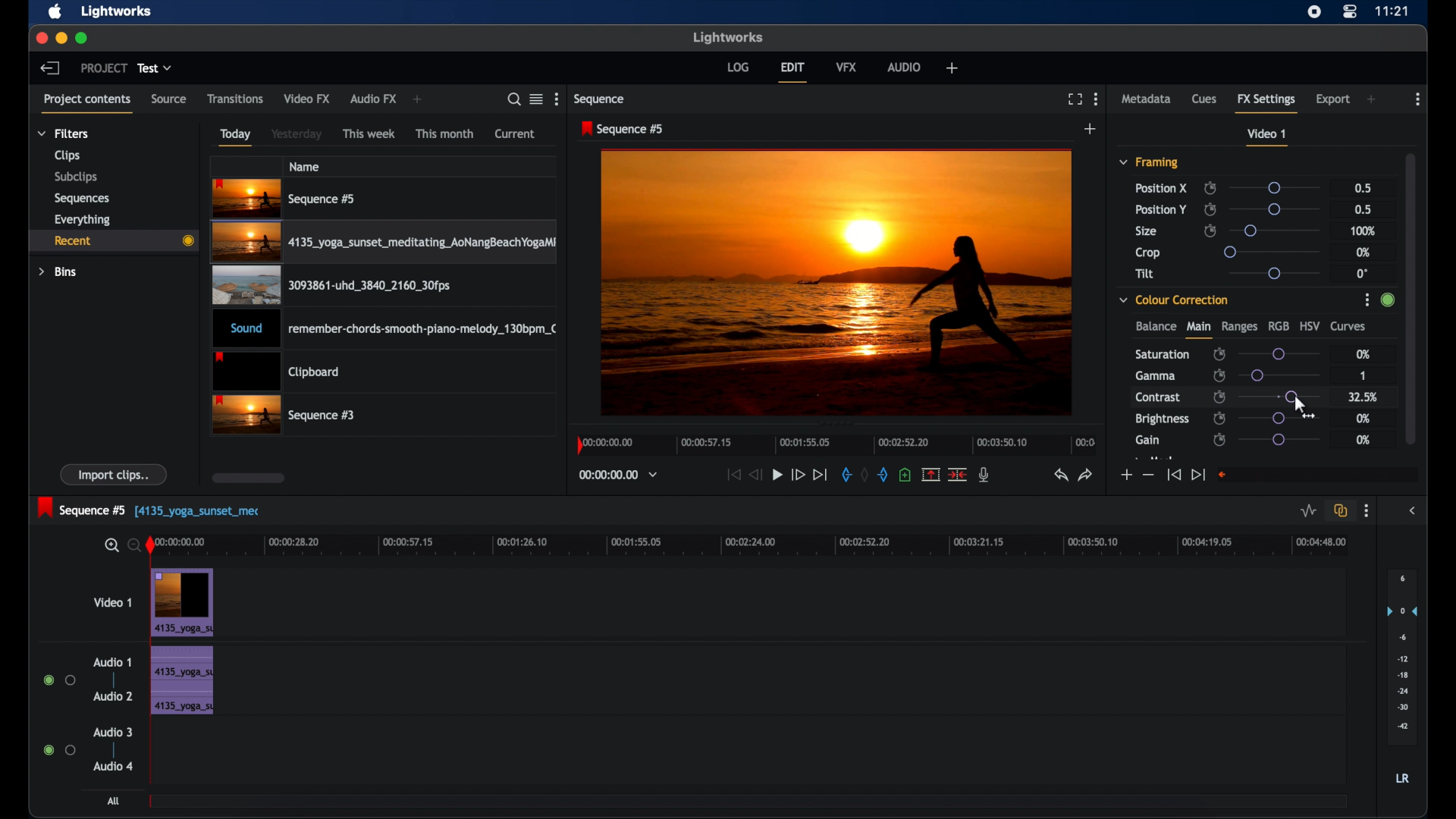 This screenshot has width=1456, height=819. Describe the element at coordinates (83, 38) in the screenshot. I see `maximize` at that location.